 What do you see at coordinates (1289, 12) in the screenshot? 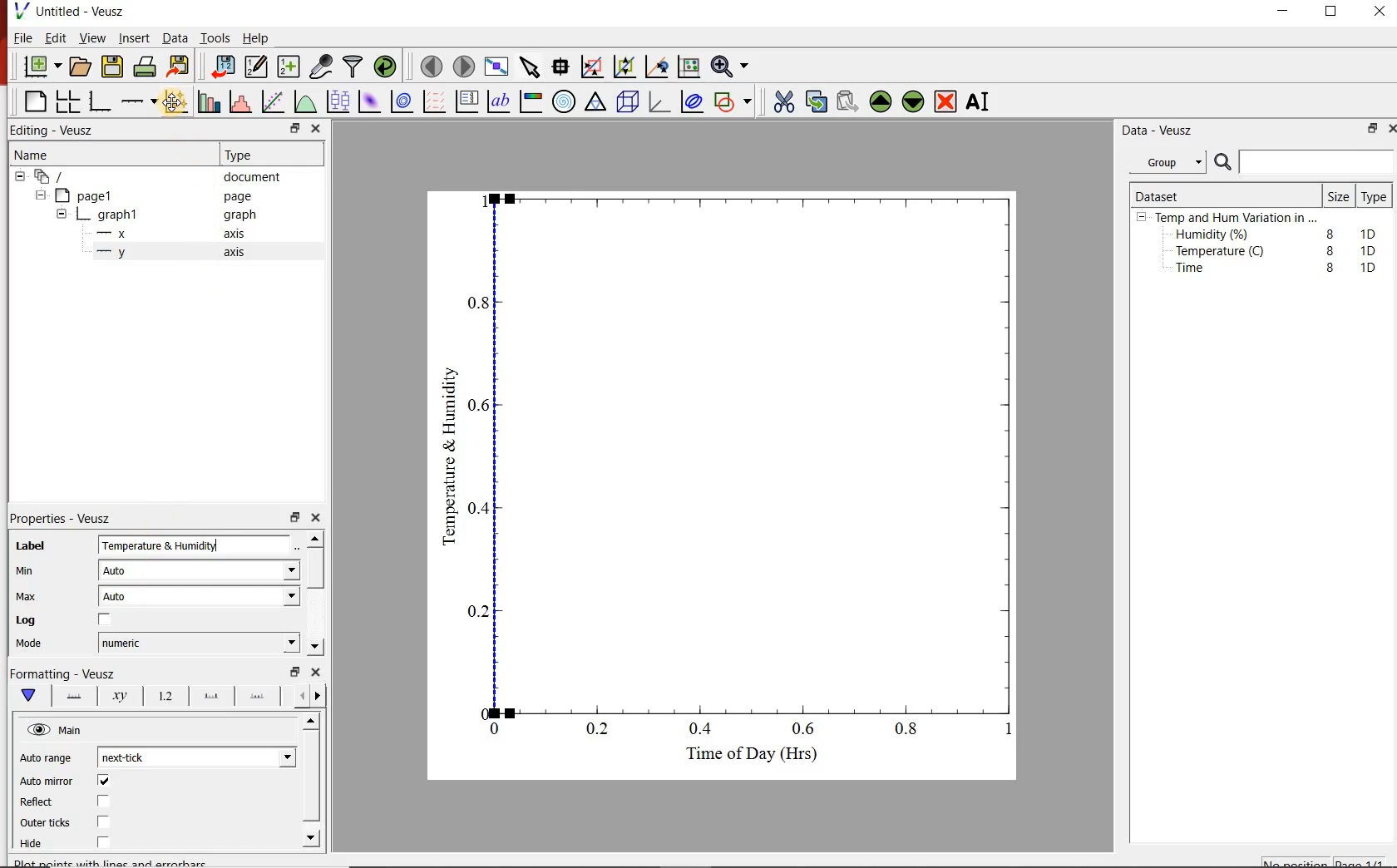
I see `minimize` at bounding box center [1289, 12].